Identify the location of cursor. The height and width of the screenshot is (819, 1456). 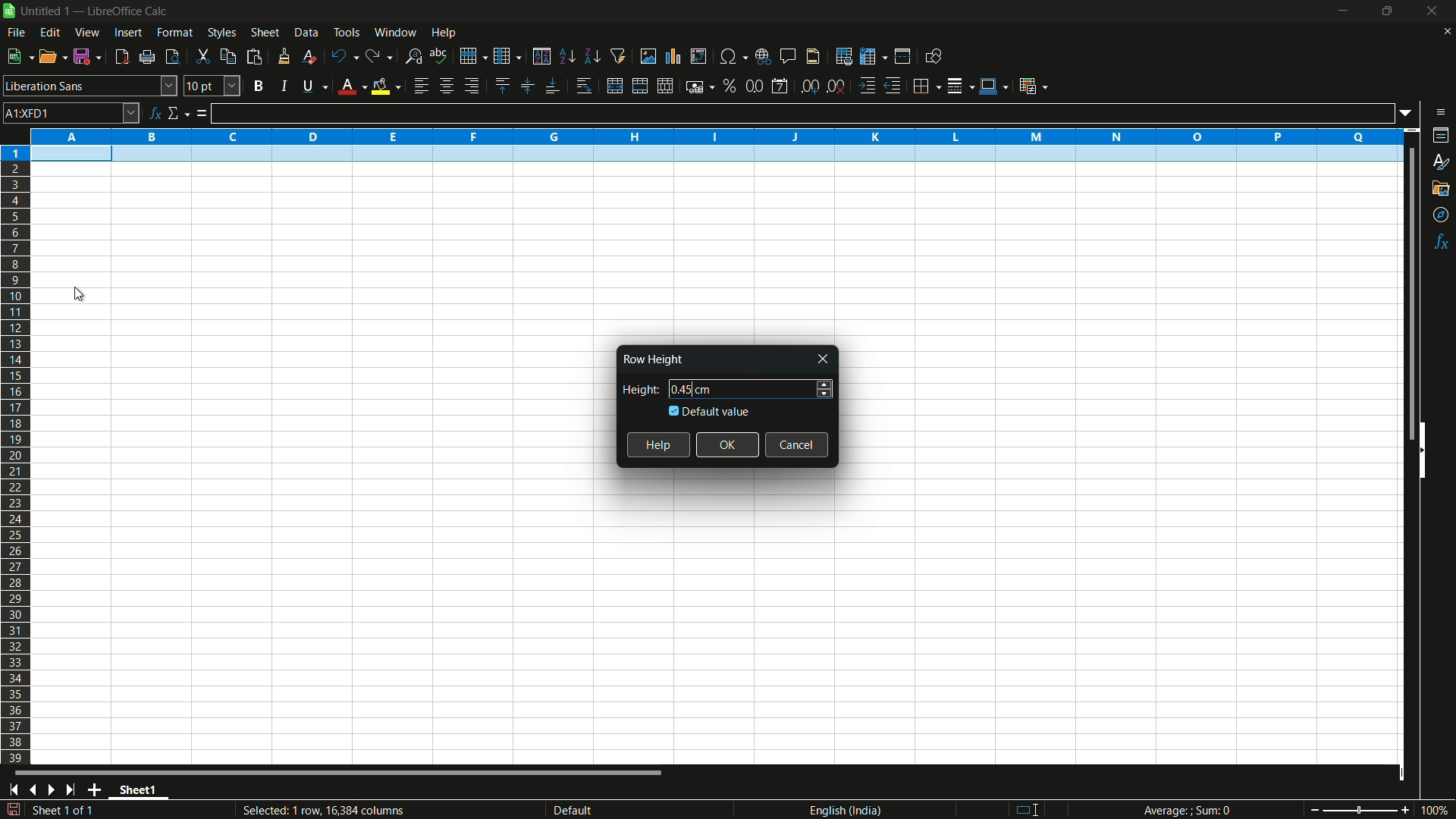
(85, 296).